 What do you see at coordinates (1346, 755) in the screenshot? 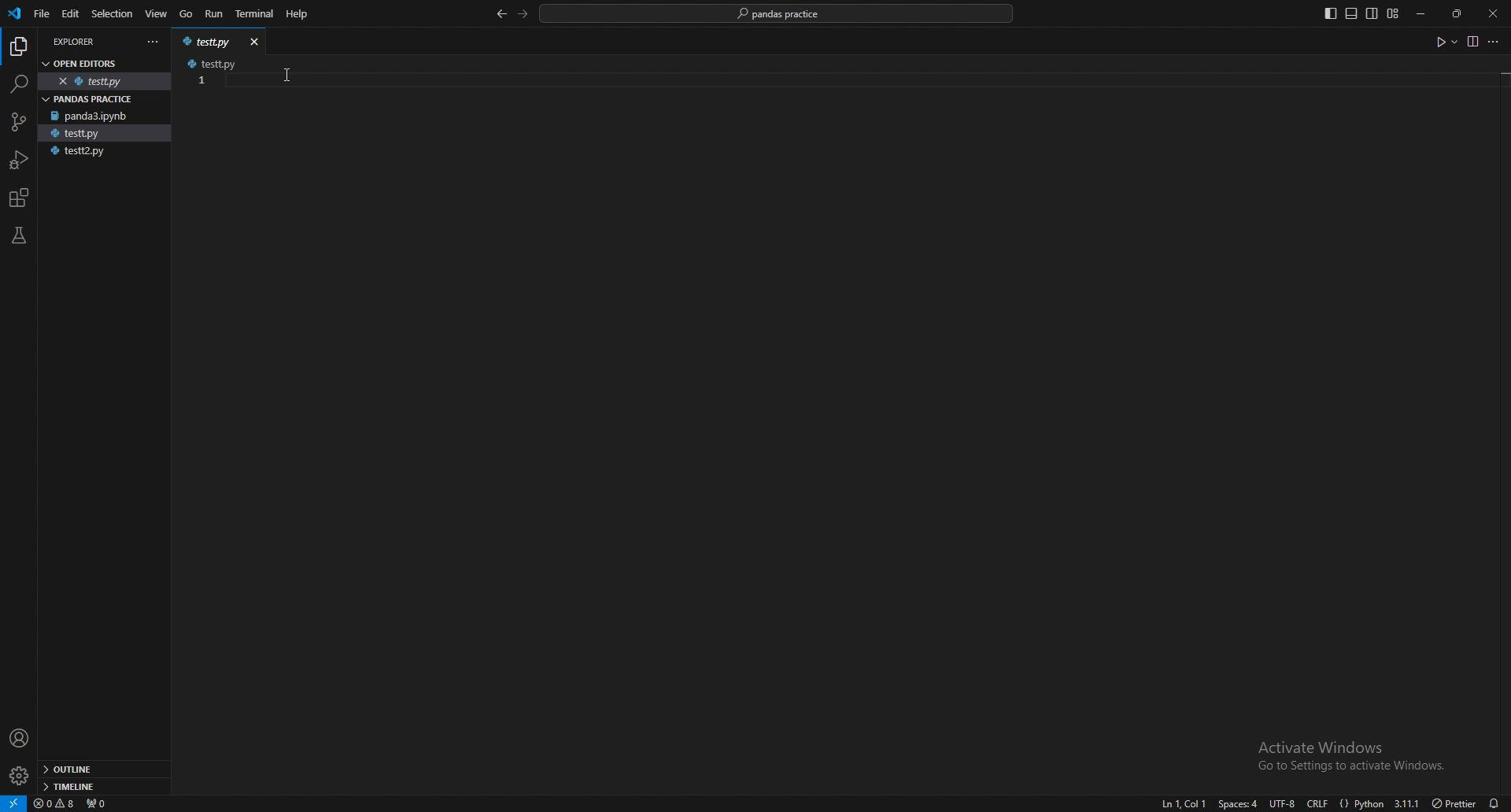
I see `Activate Windows
Go to Settings to activate Windows.` at bounding box center [1346, 755].